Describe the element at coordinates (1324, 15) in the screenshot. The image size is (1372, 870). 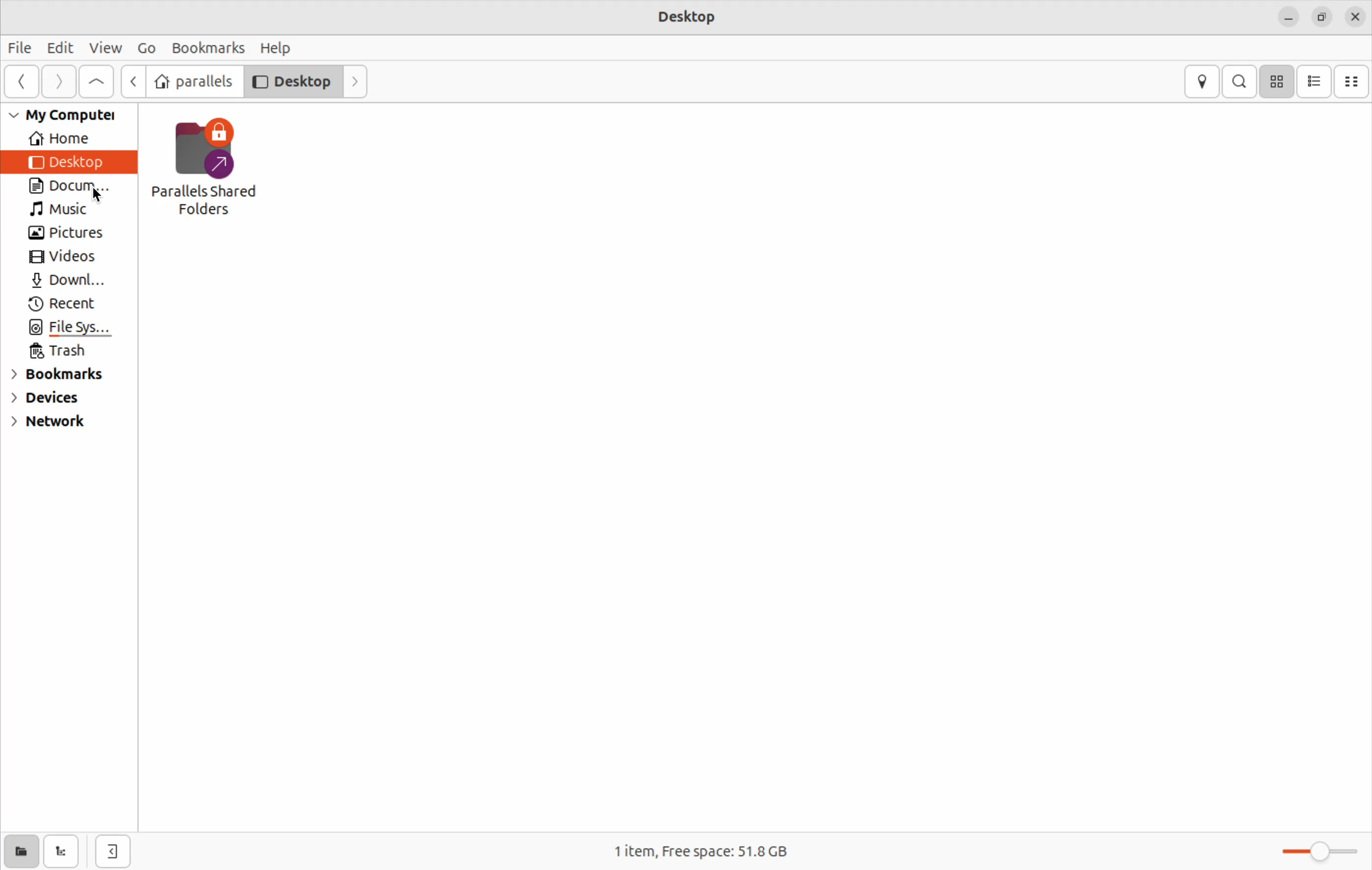
I see `Resize` at that location.